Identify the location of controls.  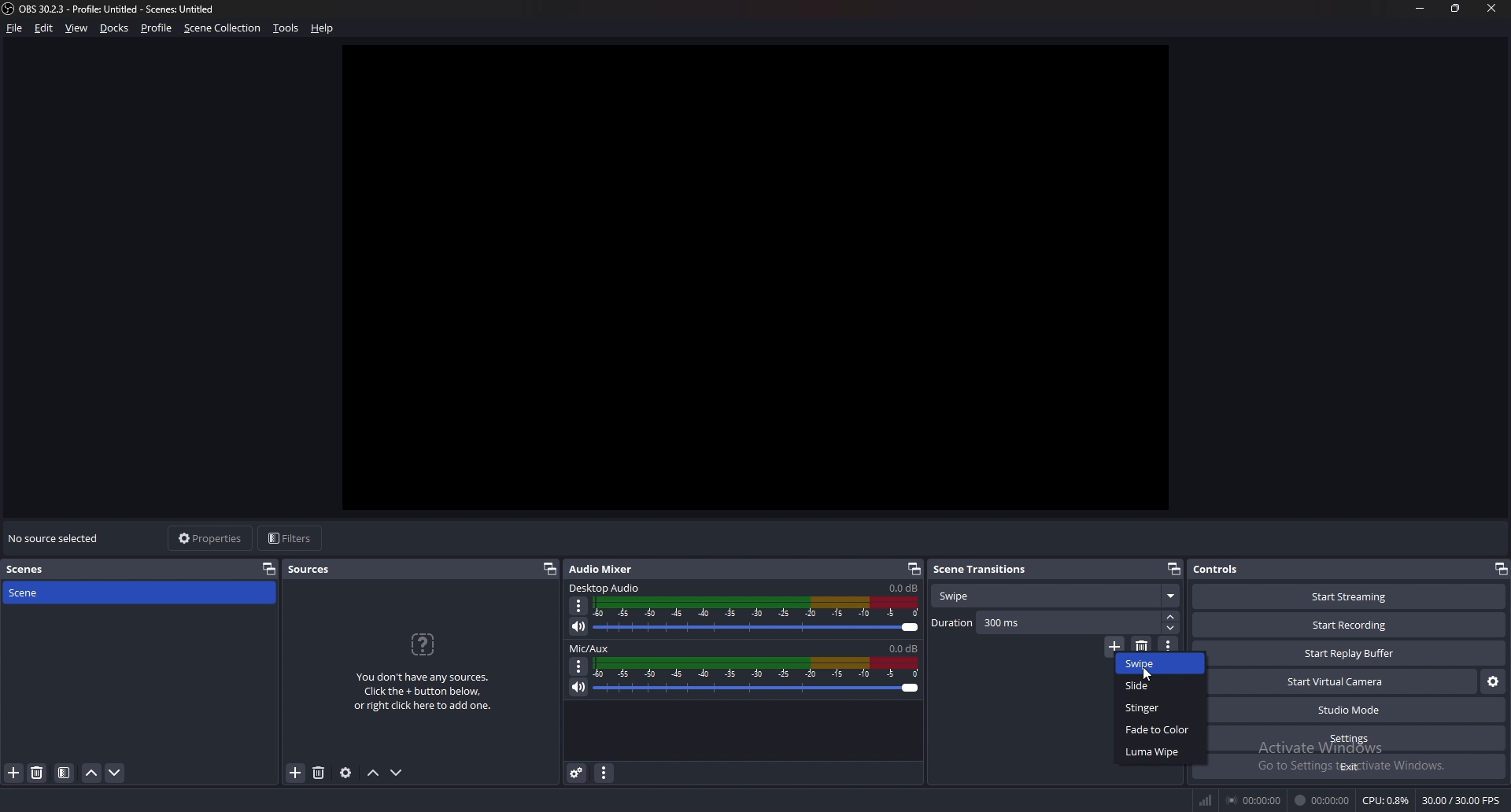
(1228, 569).